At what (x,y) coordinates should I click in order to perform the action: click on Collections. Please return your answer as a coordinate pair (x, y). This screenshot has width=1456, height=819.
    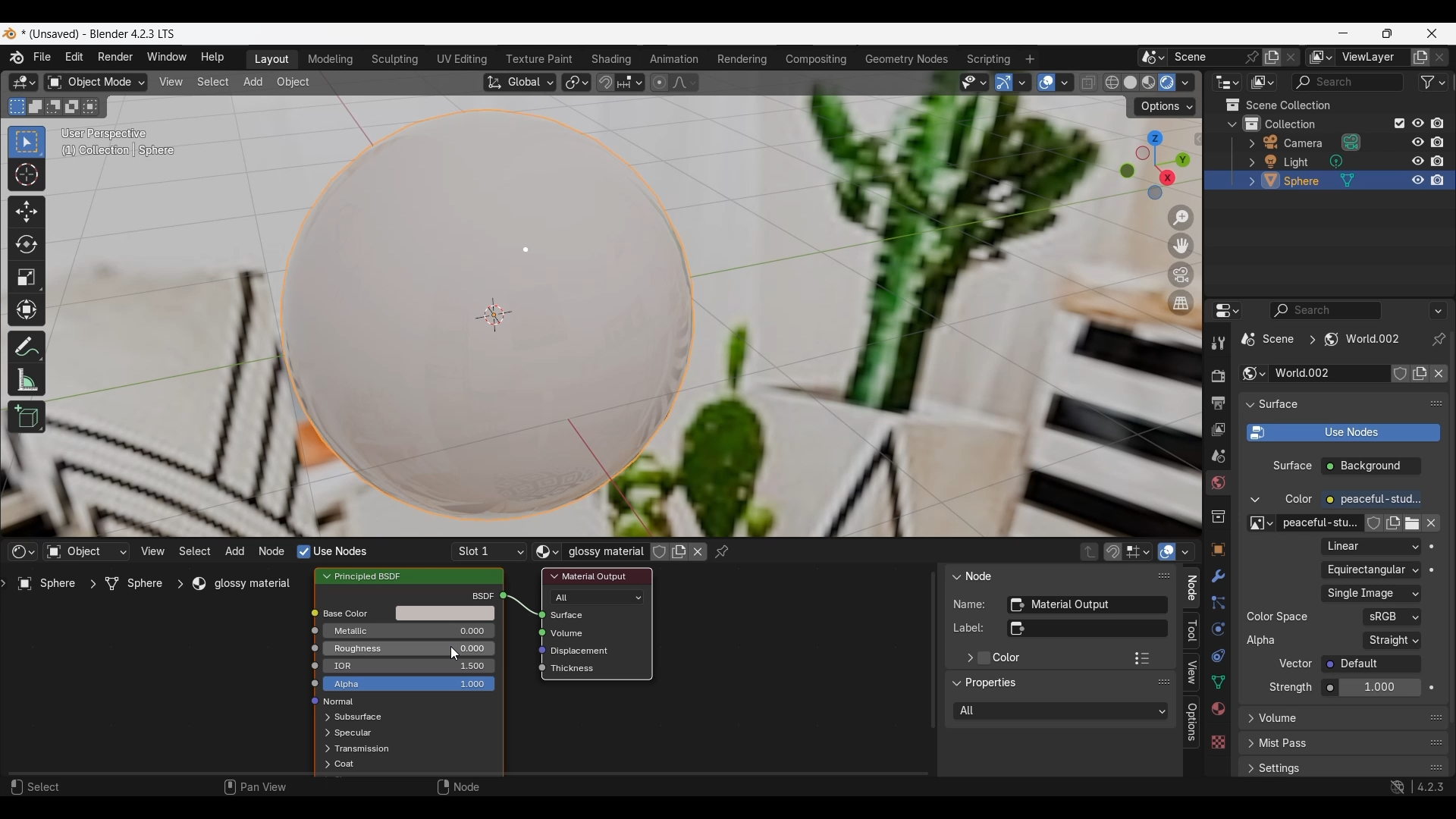
    Looking at the image, I should click on (1251, 123).